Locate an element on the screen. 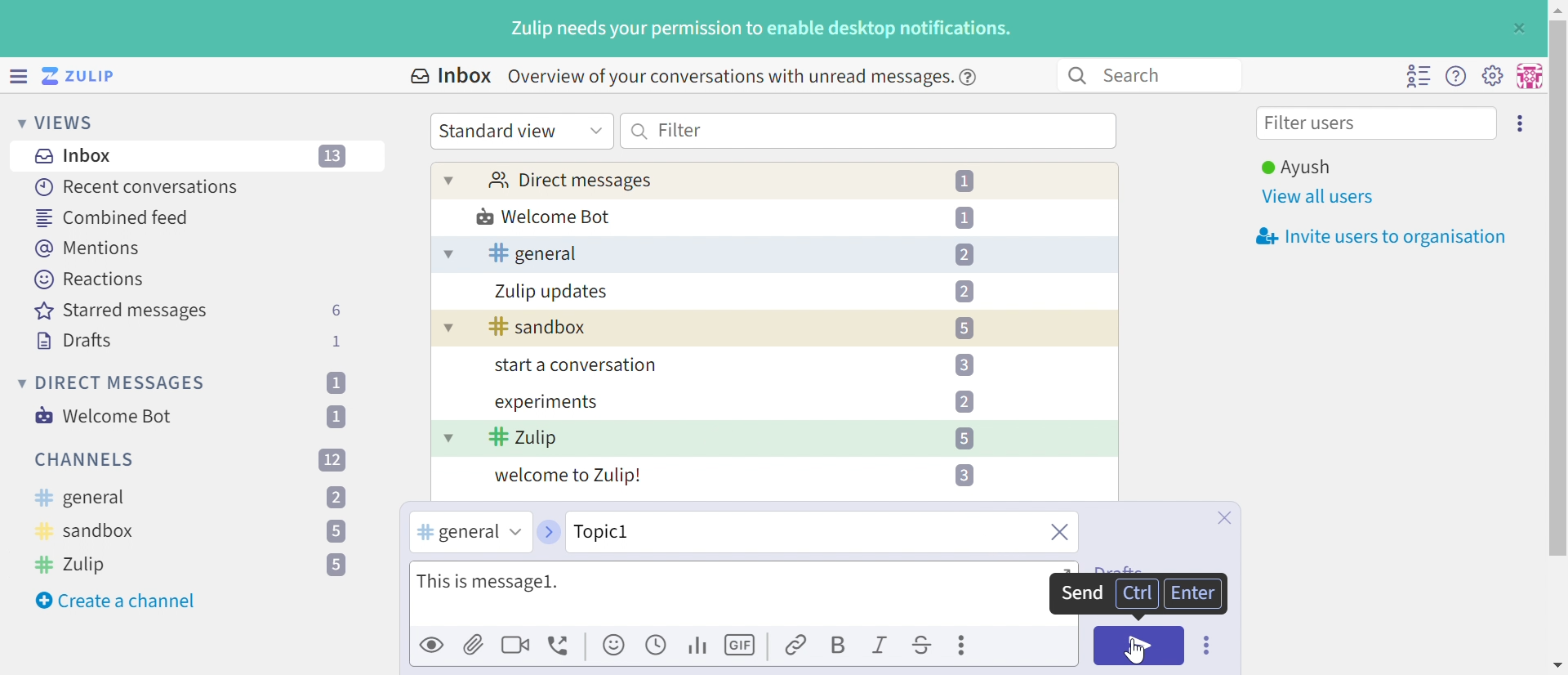 Image resolution: width=1568 pixels, height=675 pixels. move down is located at coordinates (1557, 665).